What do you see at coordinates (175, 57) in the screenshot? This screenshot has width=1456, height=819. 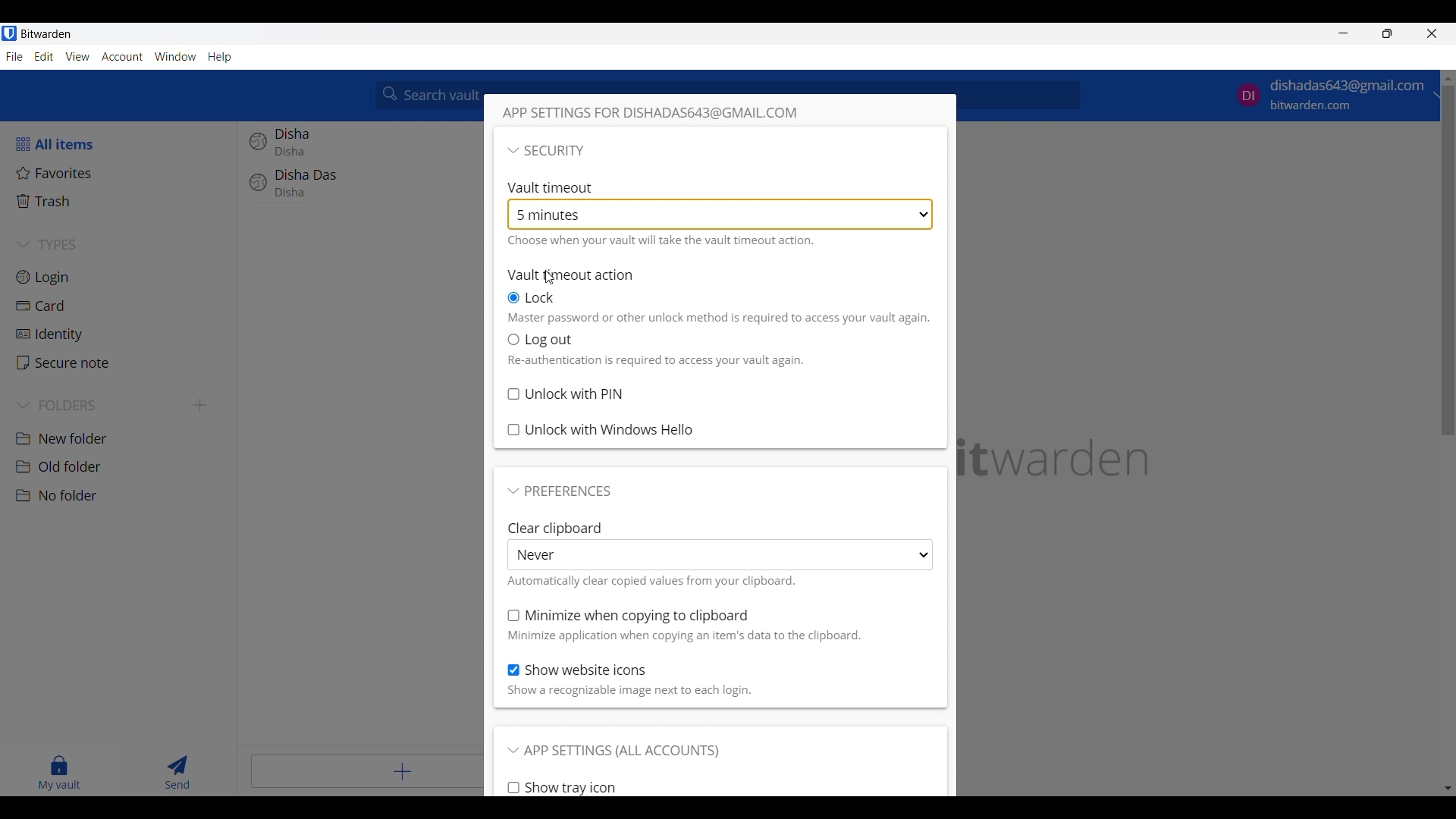 I see `Window menu` at bounding box center [175, 57].